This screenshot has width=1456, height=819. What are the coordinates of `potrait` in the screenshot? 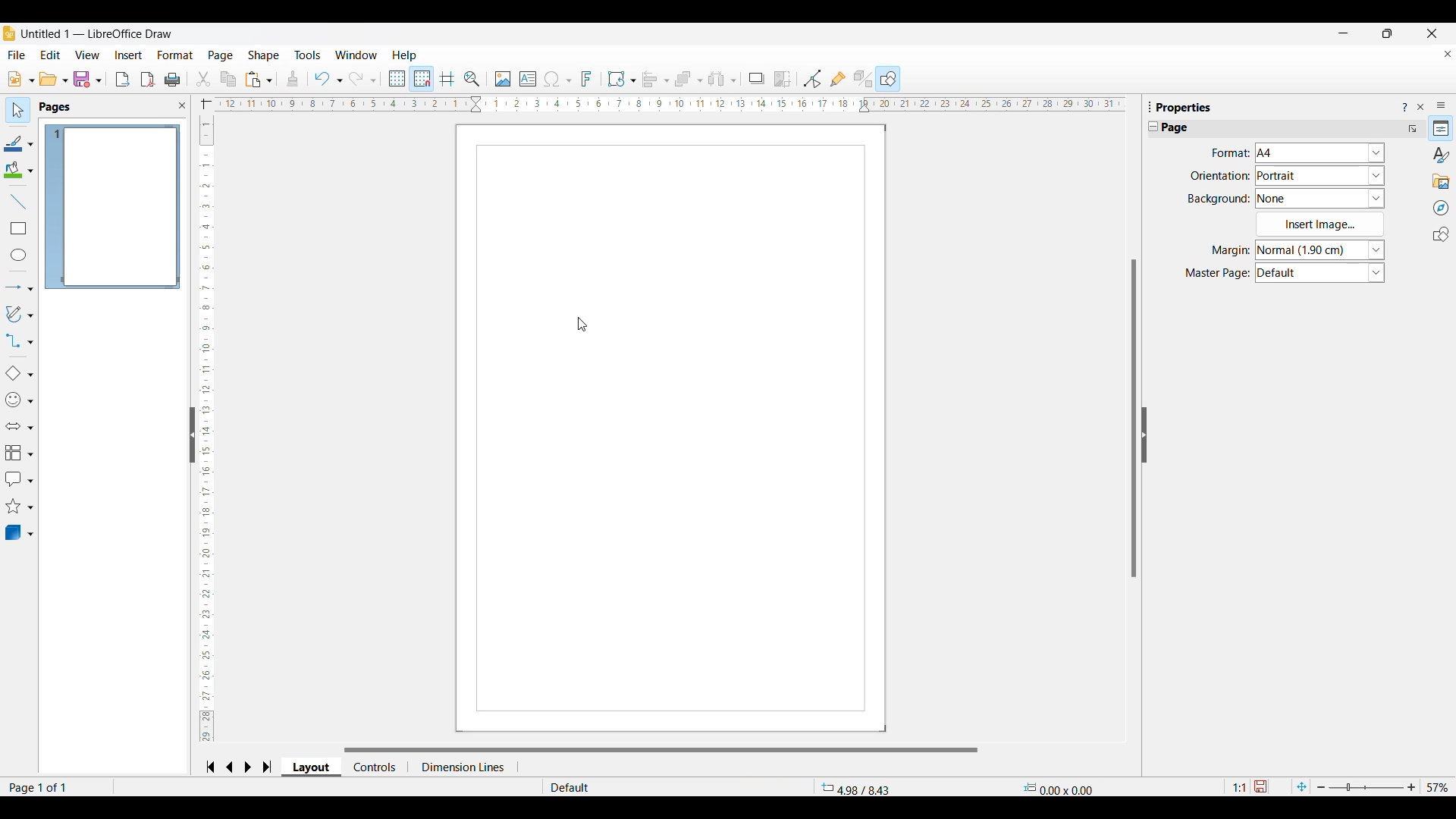 It's located at (1319, 176).